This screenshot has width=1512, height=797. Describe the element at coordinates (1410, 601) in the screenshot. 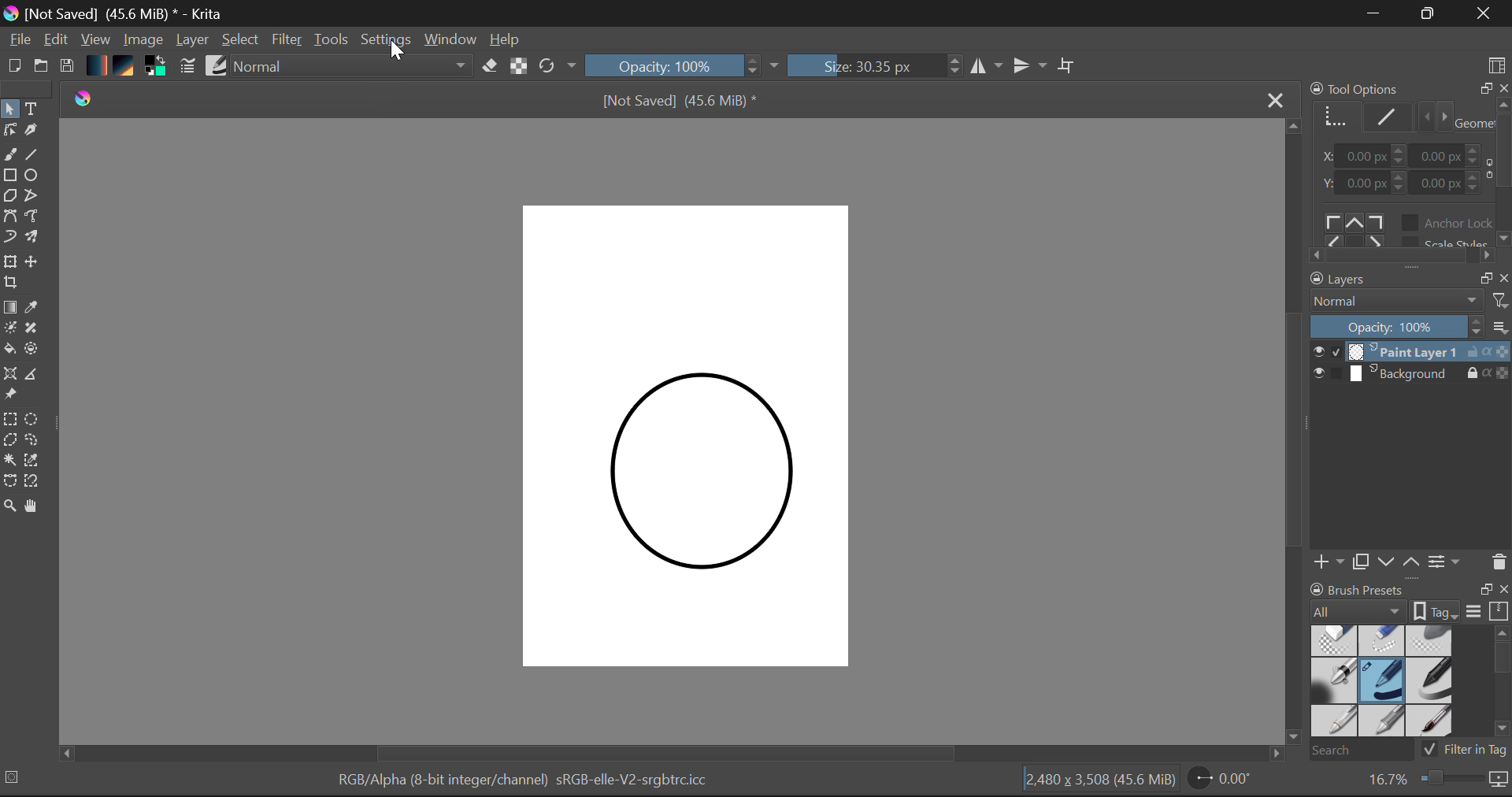

I see `Brush Presets Docket Tab` at that location.